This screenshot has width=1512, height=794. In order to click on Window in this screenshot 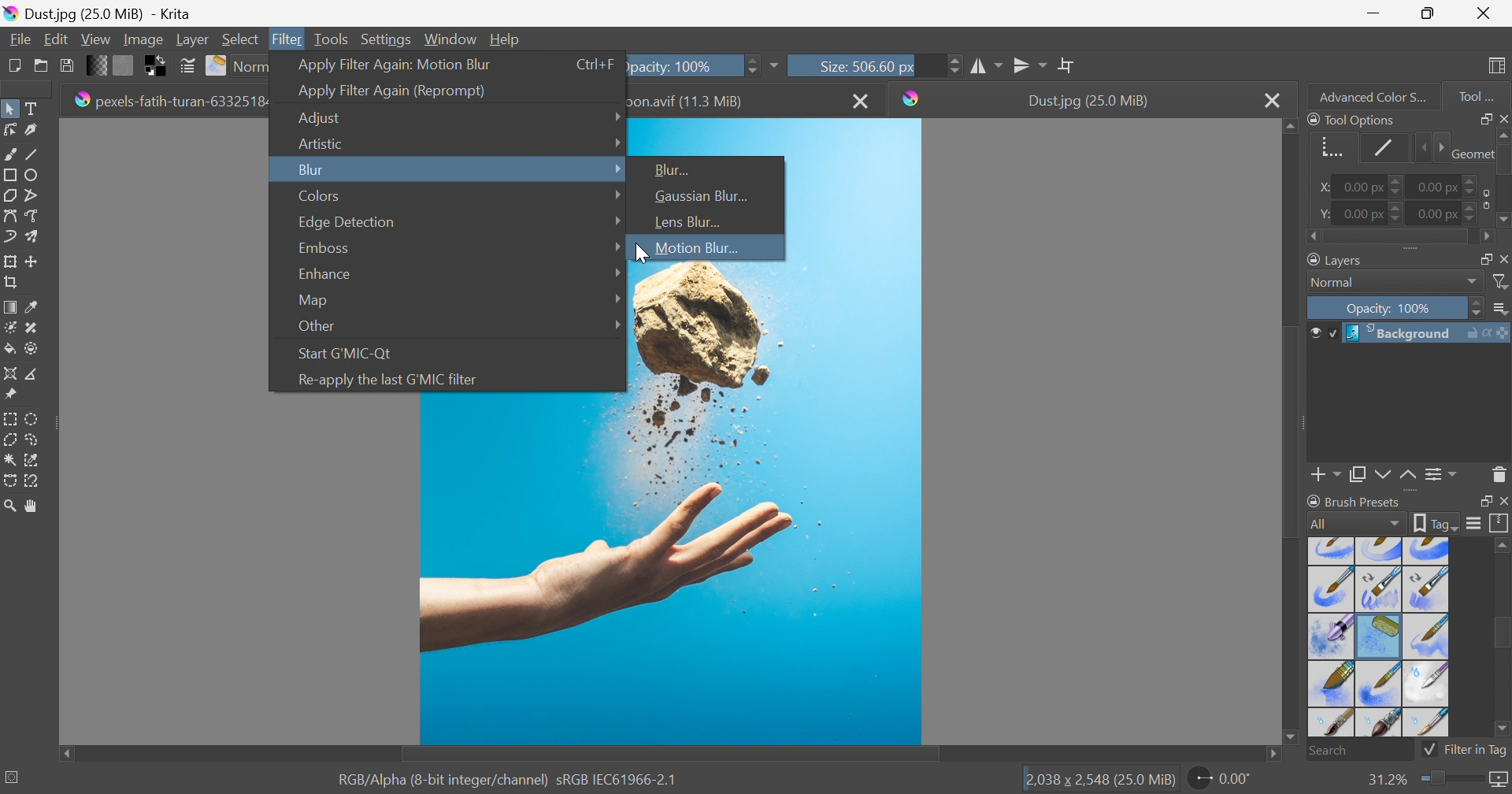, I will do `click(451, 38)`.